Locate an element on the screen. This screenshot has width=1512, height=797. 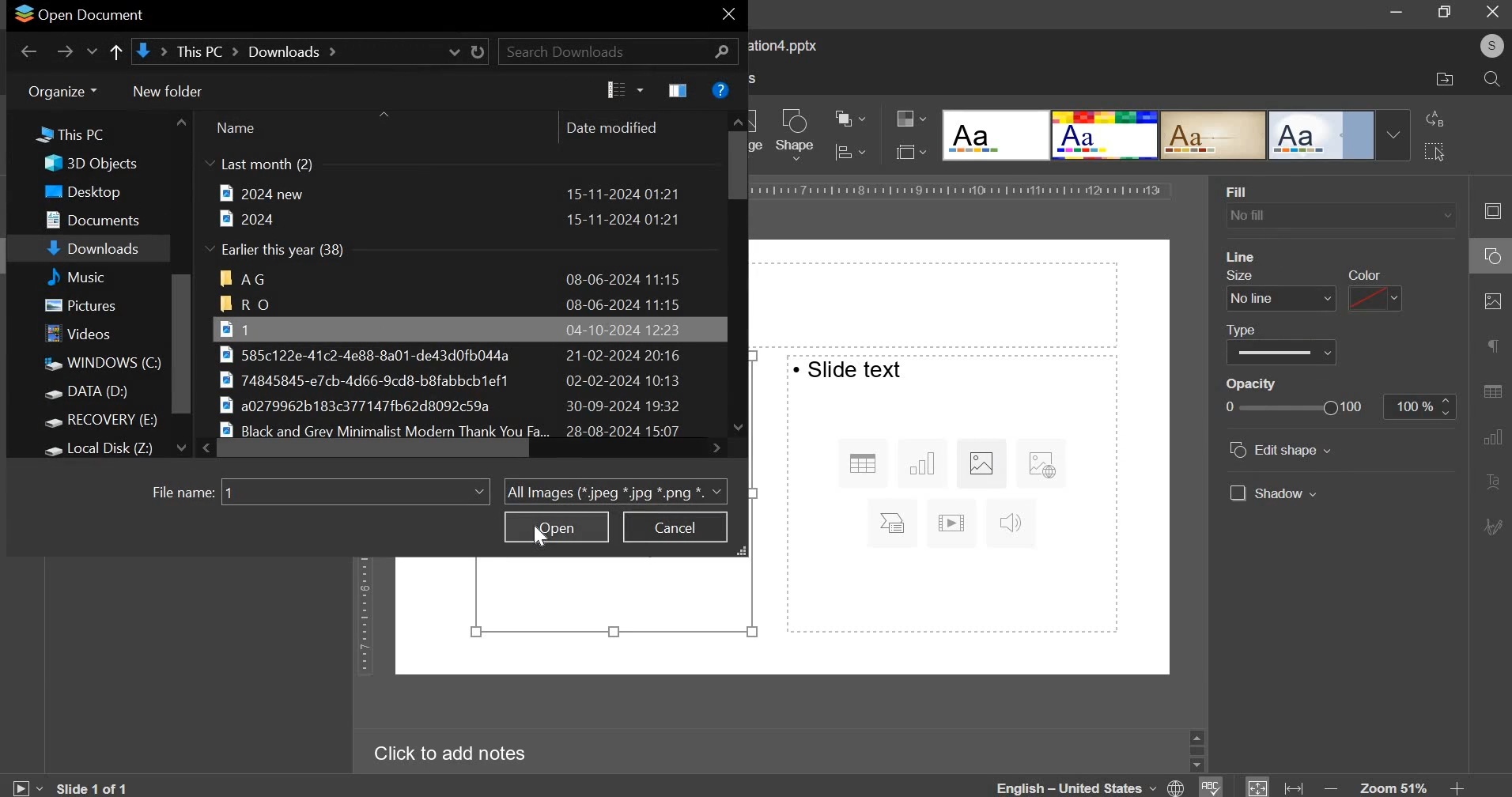
exit is located at coordinates (728, 17).